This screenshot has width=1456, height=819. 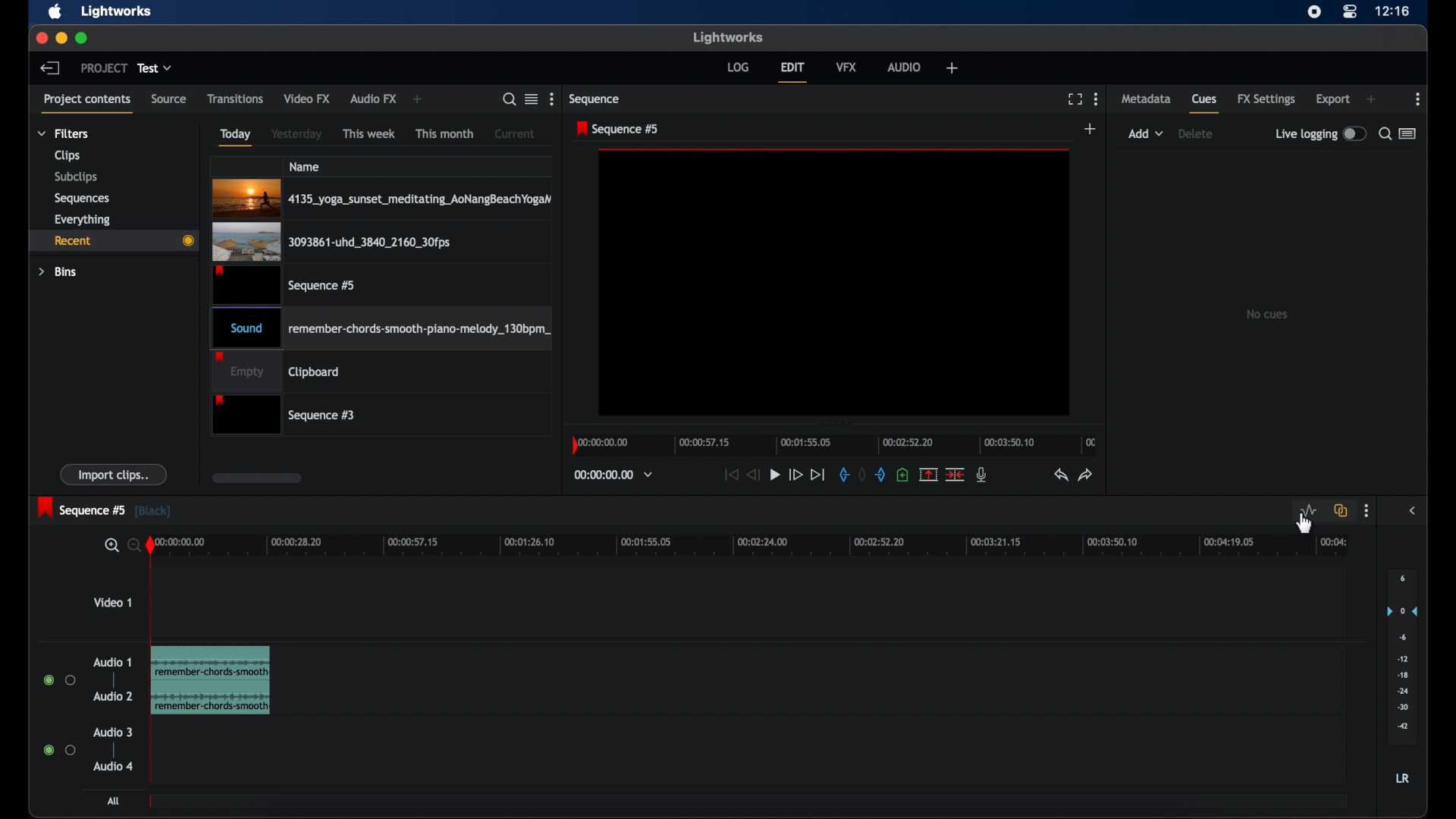 I want to click on minimize, so click(x=61, y=38).